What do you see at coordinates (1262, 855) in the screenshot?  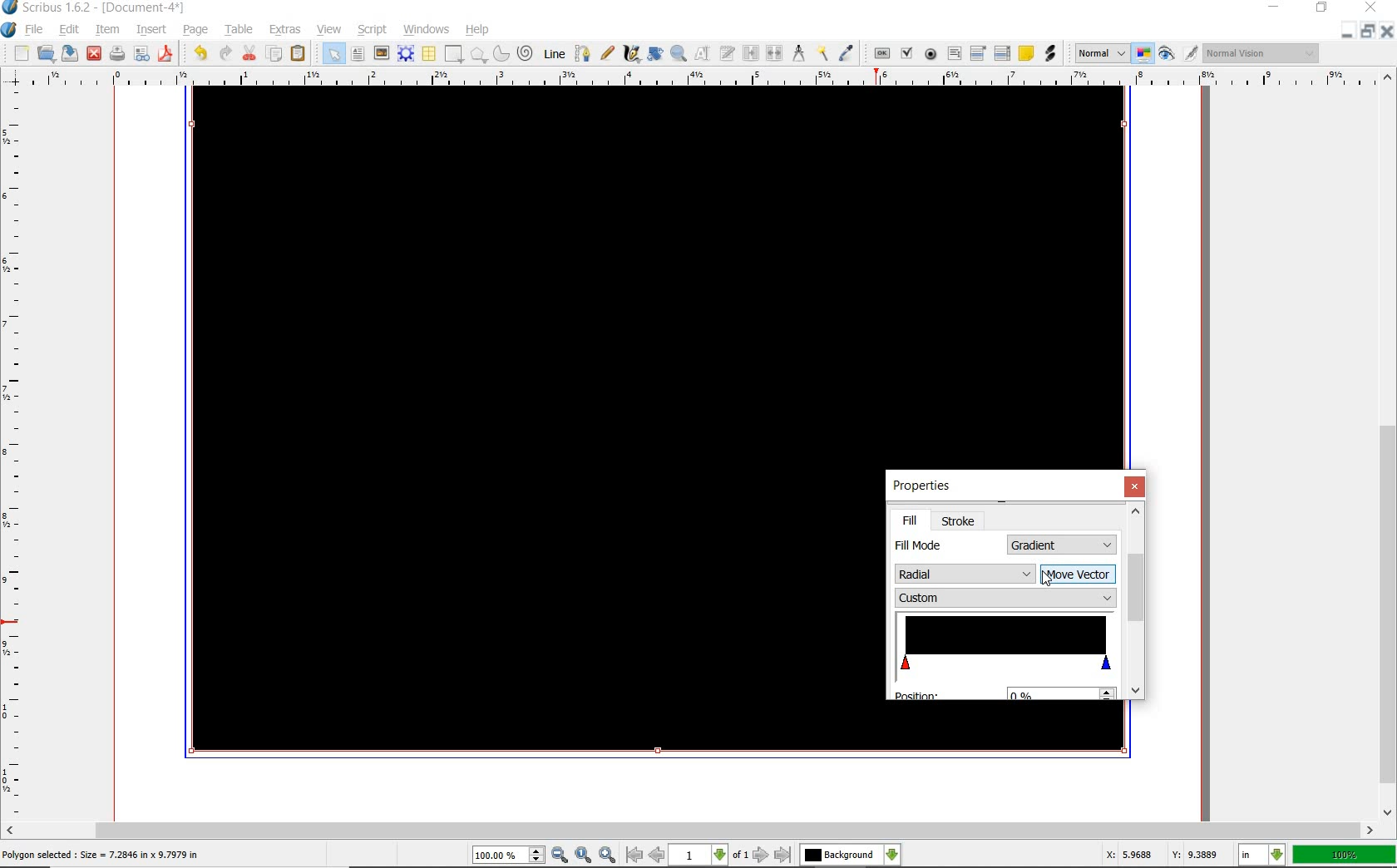 I see `in` at bounding box center [1262, 855].